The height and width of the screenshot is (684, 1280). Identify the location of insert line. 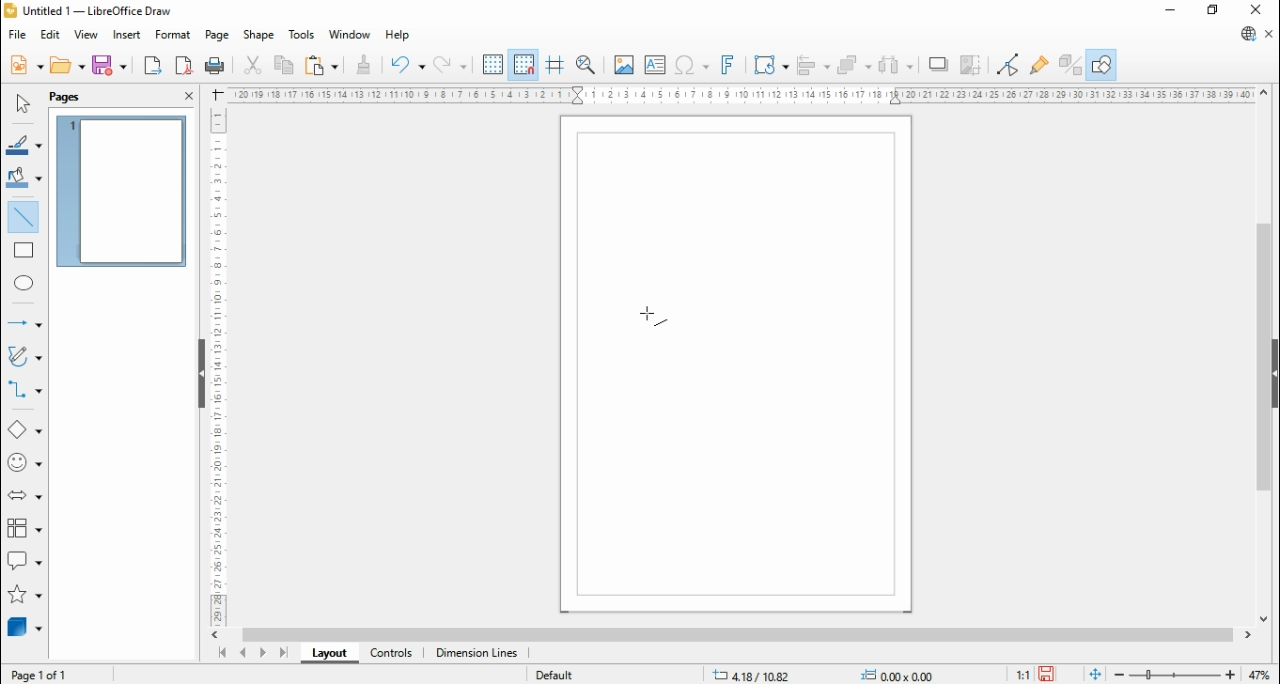
(24, 215).